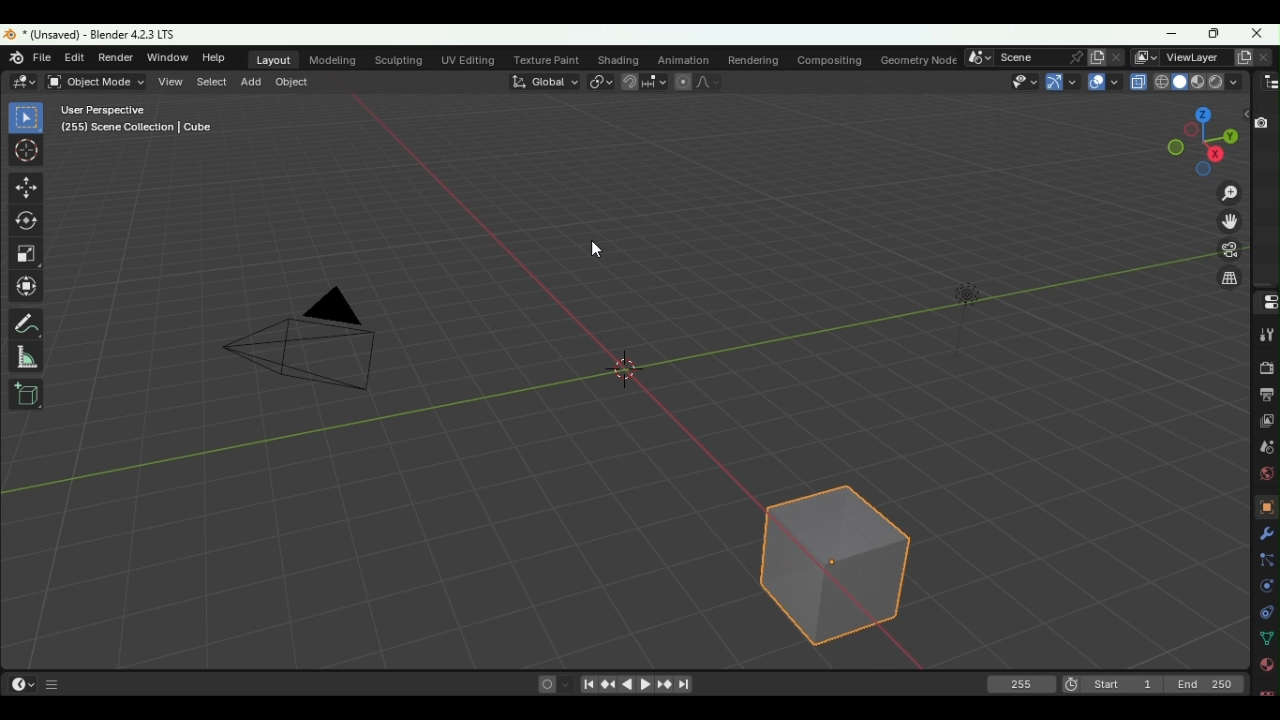  I want to click on Move, so click(26, 190).